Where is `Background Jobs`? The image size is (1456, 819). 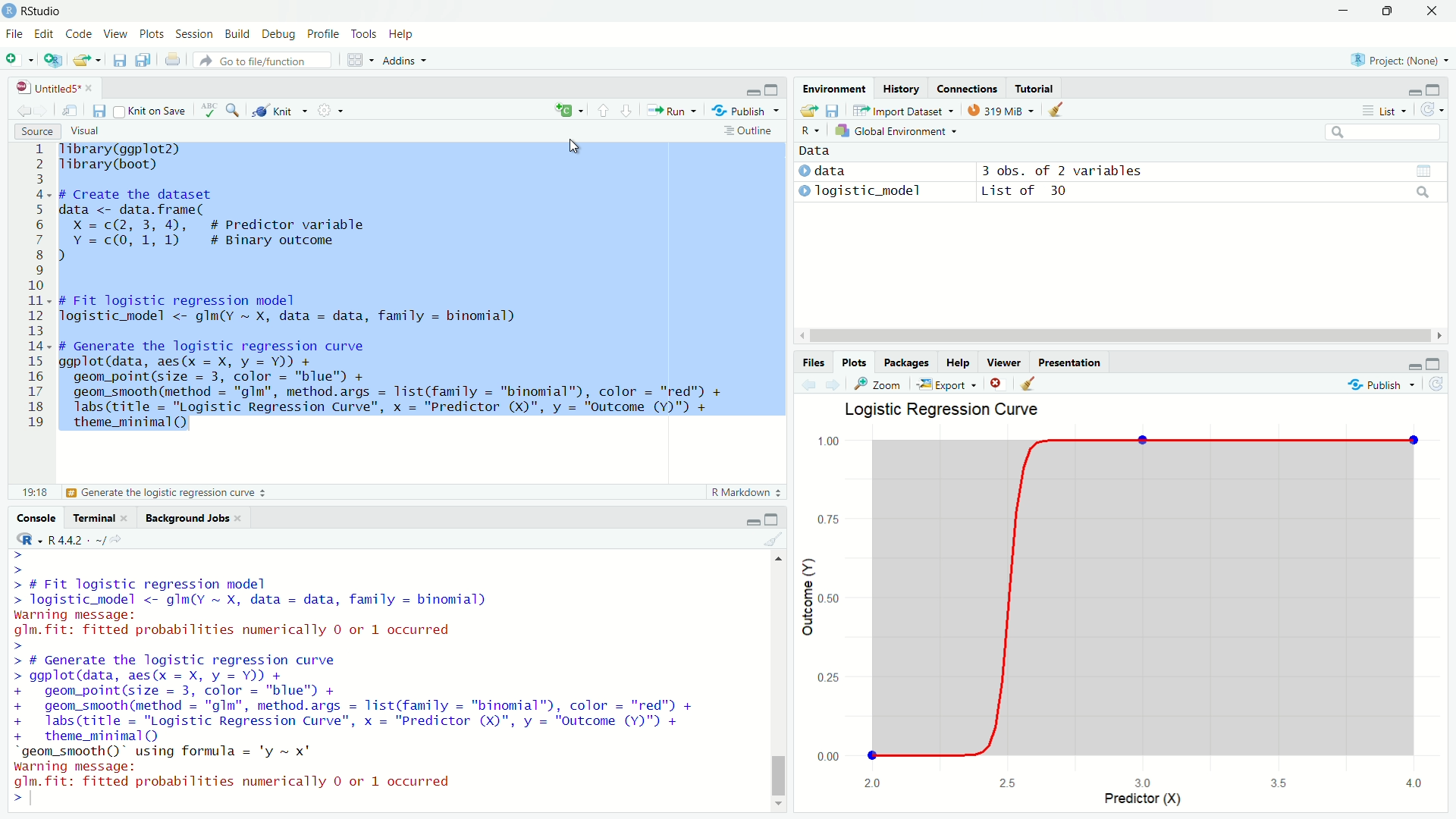 Background Jobs is located at coordinates (184, 518).